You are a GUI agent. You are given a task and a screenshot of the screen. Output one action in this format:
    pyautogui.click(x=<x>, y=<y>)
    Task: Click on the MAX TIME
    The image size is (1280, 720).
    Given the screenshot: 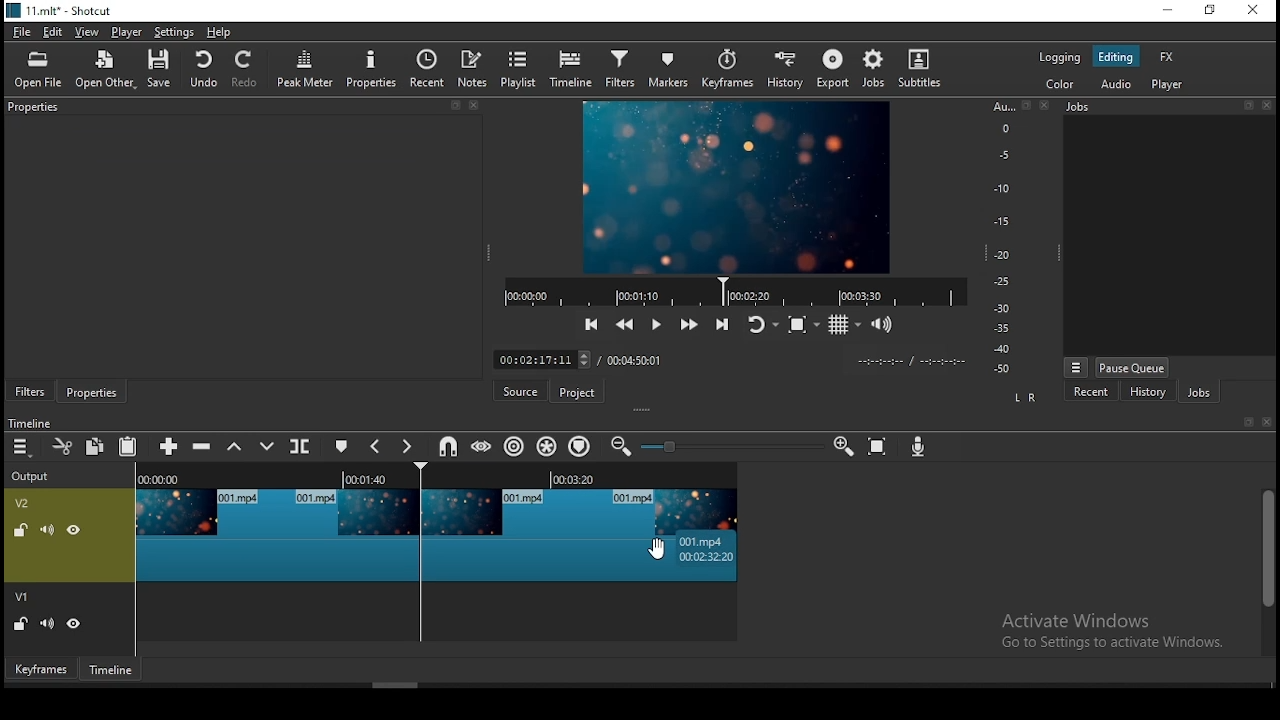 What is the action you would take?
    pyautogui.click(x=635, y=360)
    